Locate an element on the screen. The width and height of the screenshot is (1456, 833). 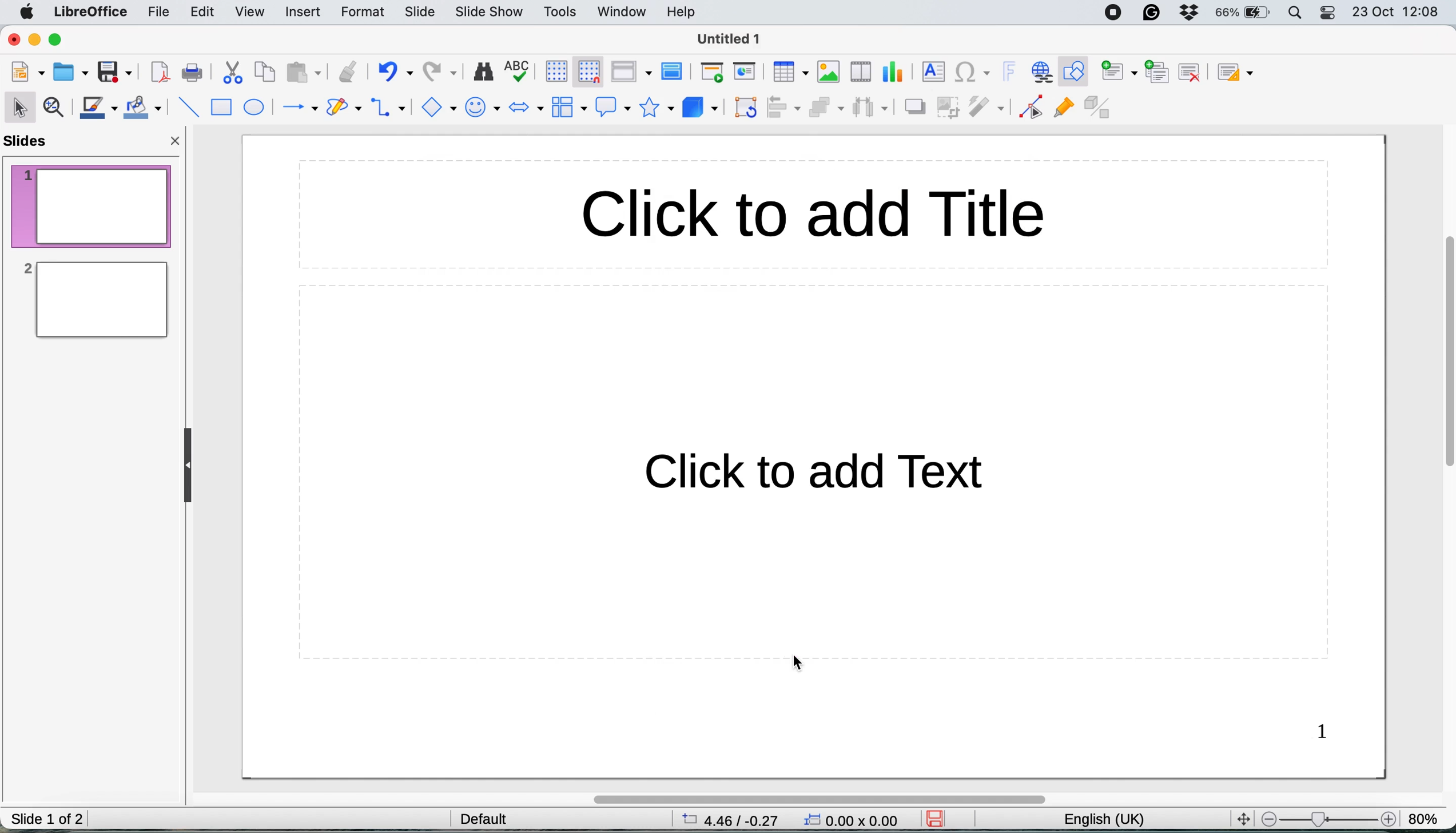
display views is located at coordinates (630, 72).